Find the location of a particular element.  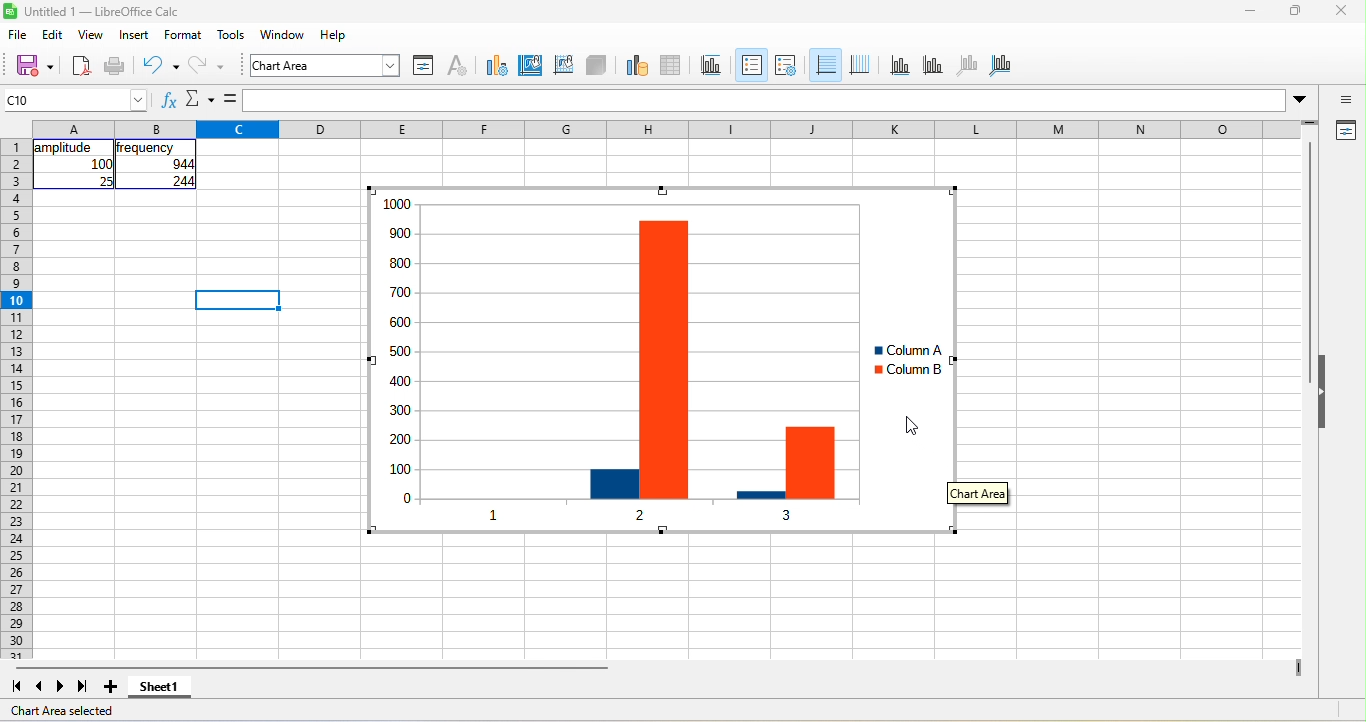

Column chart is located at coordinates (654, 360).